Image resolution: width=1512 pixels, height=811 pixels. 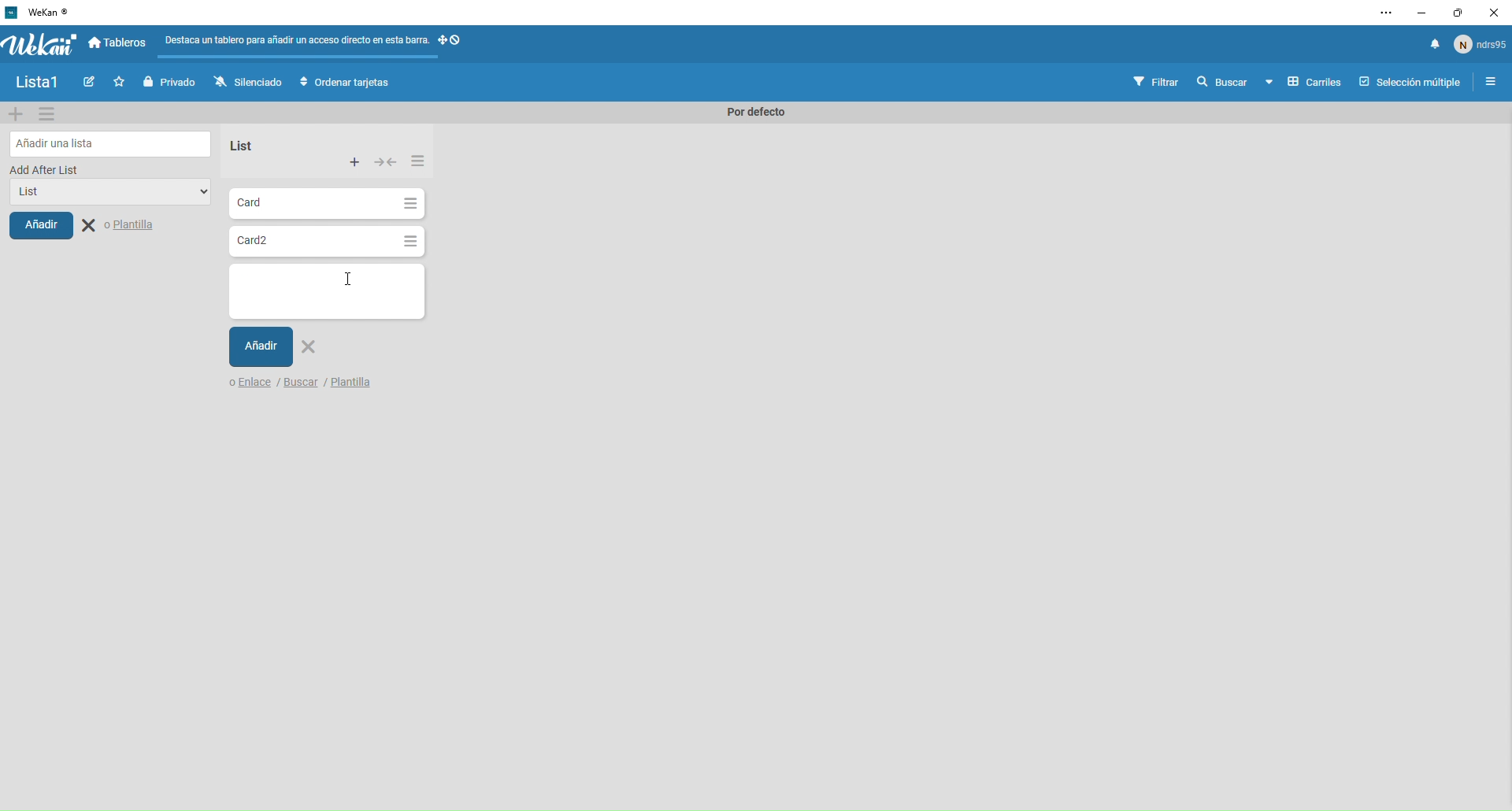 I want to click on card options, so click(x=410, y=206).